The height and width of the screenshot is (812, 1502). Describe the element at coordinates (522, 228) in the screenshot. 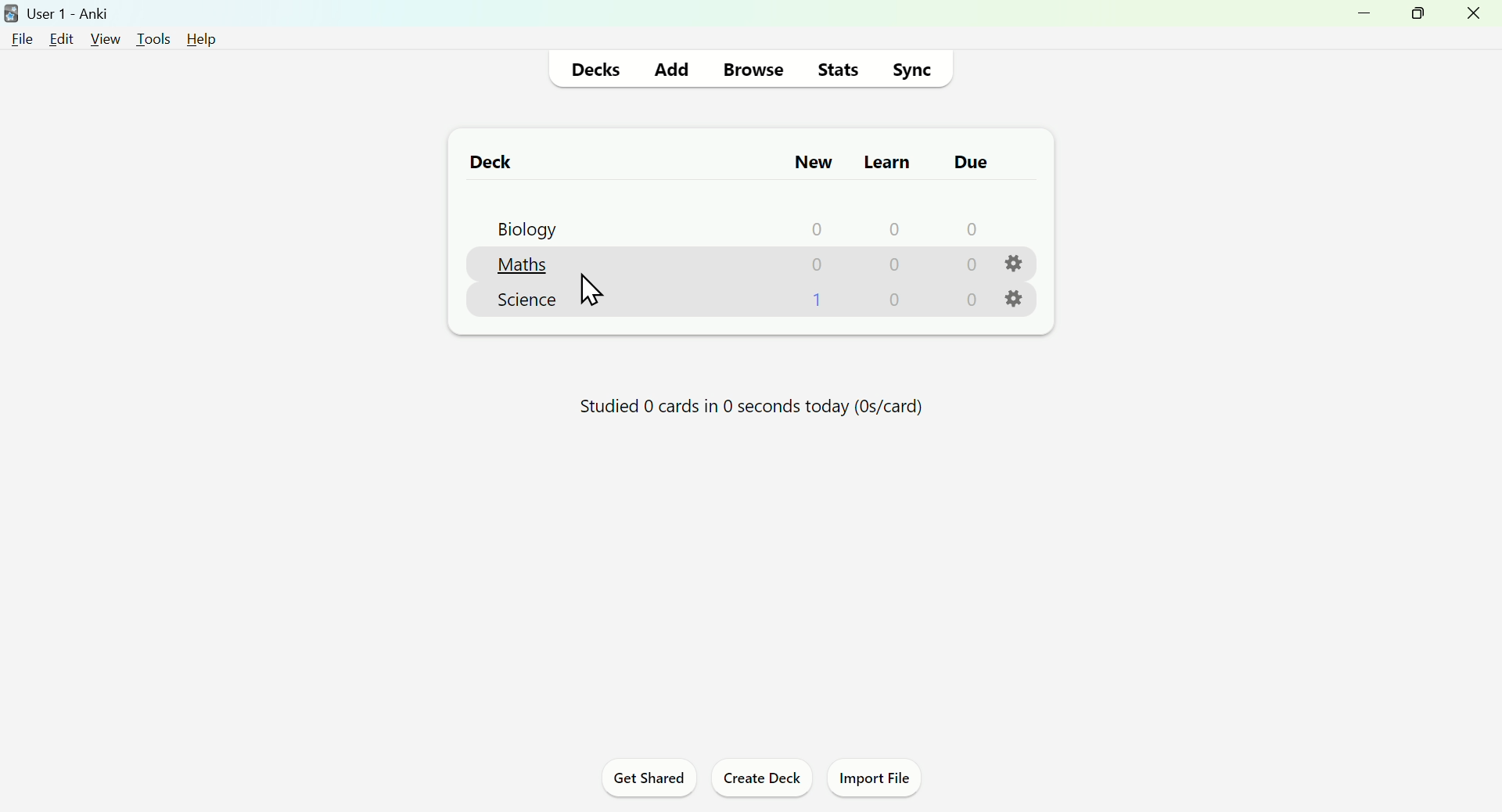

I see `Biology` at that location.